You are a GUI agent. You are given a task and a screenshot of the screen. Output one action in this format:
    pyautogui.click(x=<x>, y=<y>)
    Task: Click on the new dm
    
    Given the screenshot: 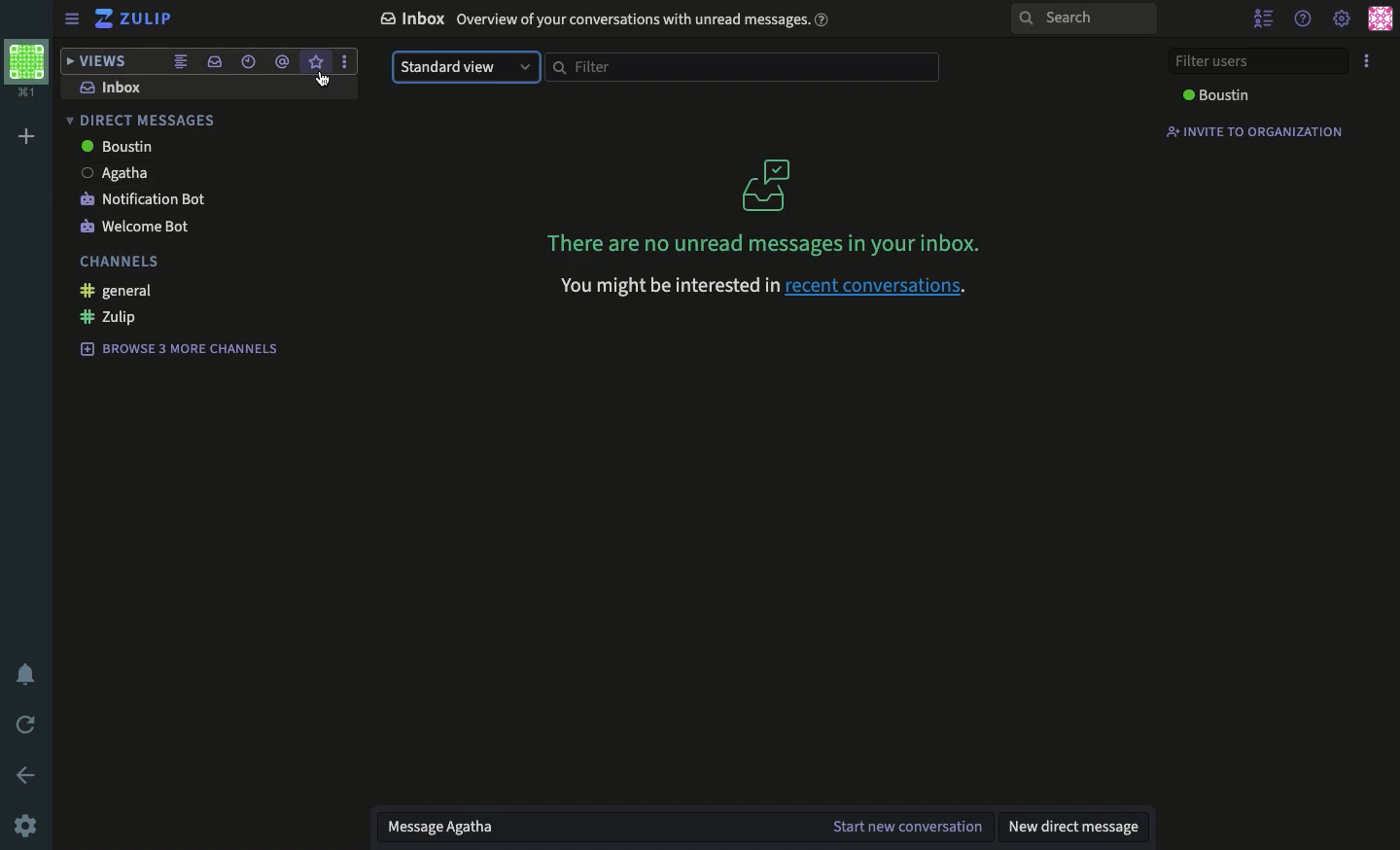 What is the action you would take?
    pyautogui.click(x=1079, y=826)
    